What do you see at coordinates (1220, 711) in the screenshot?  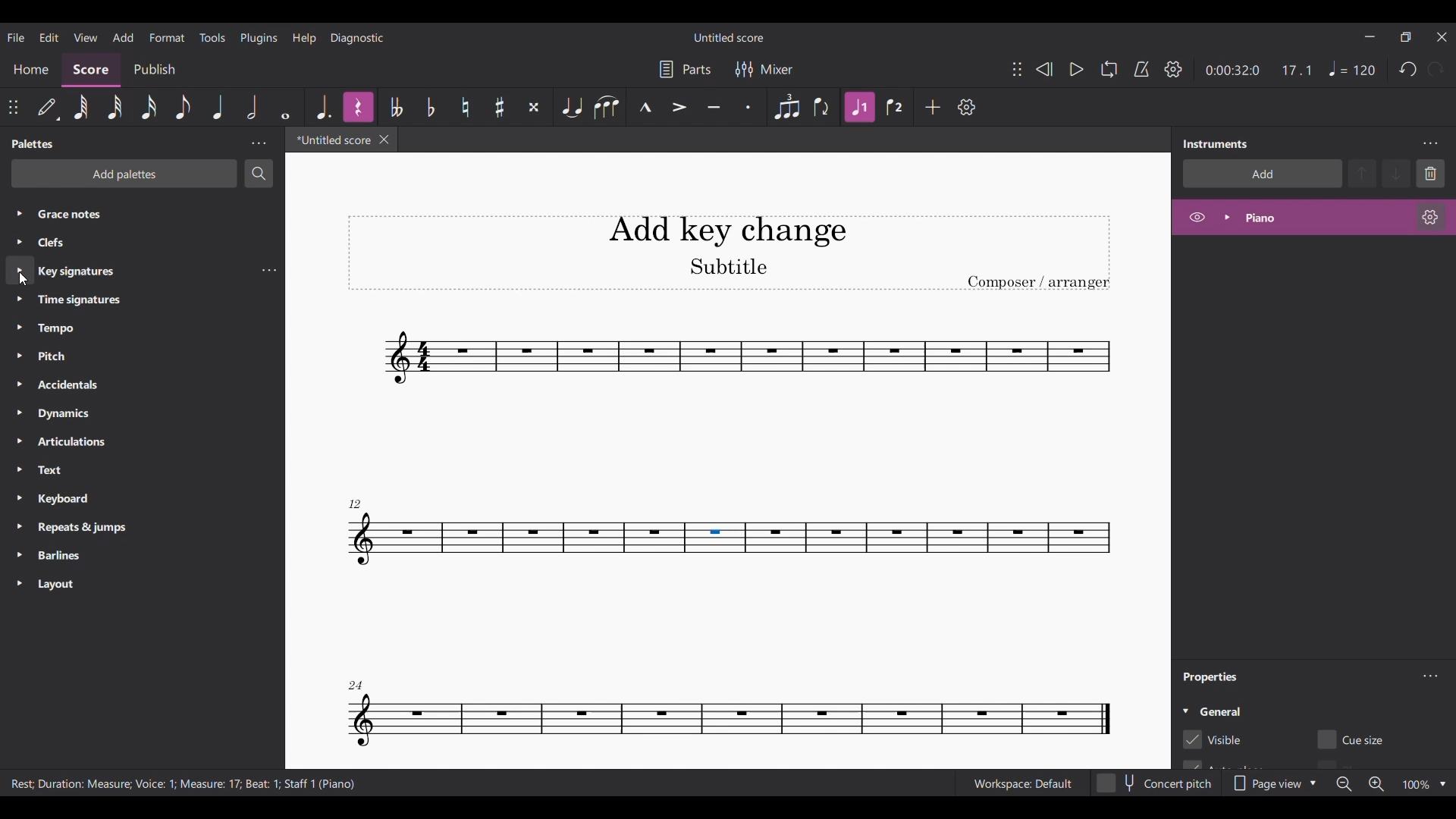 I see `General` at bounding box center [1220, 711].